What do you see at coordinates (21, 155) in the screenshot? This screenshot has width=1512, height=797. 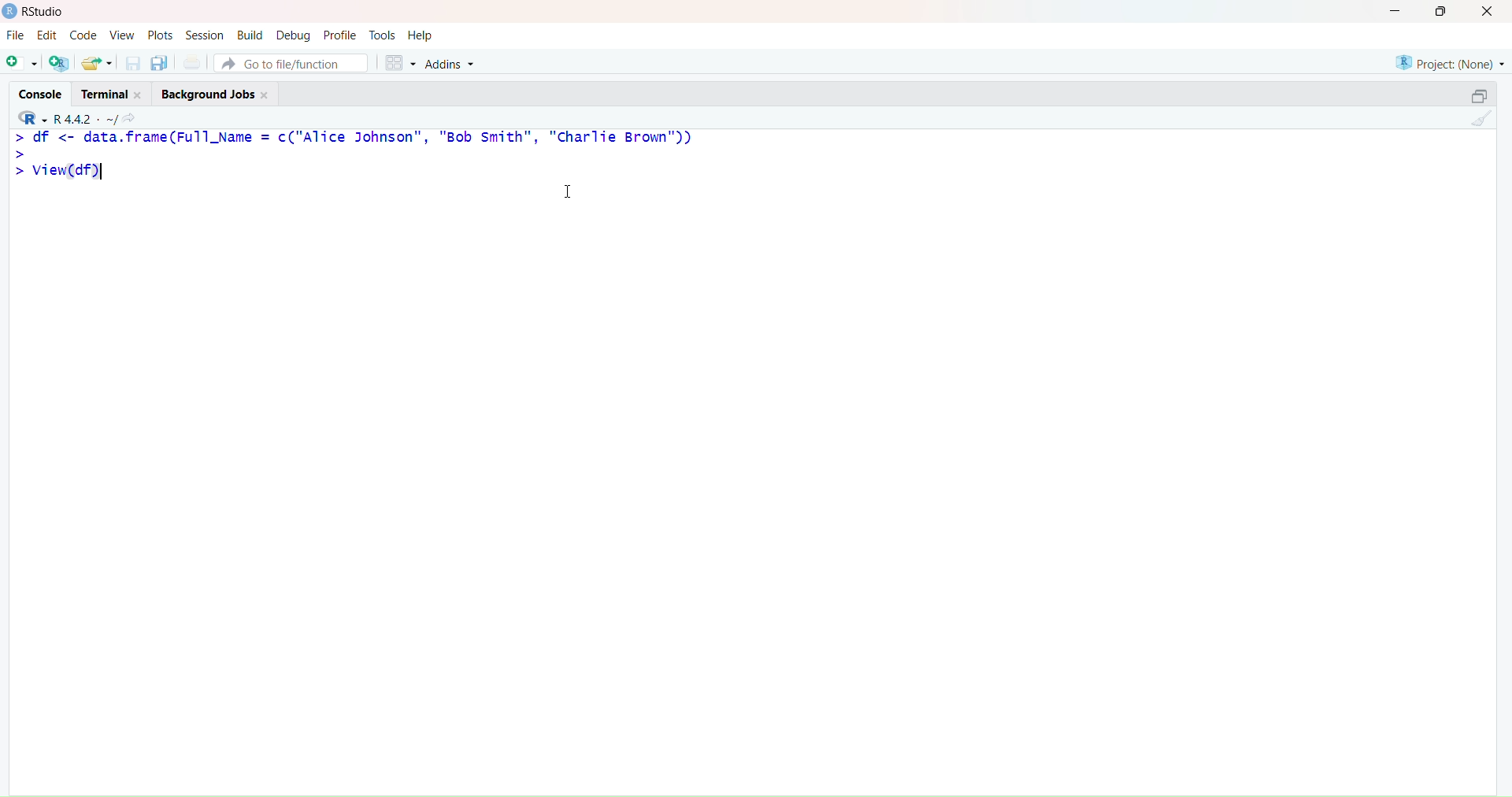 I see `Prompt cursor` at bounding box center [21, 155].